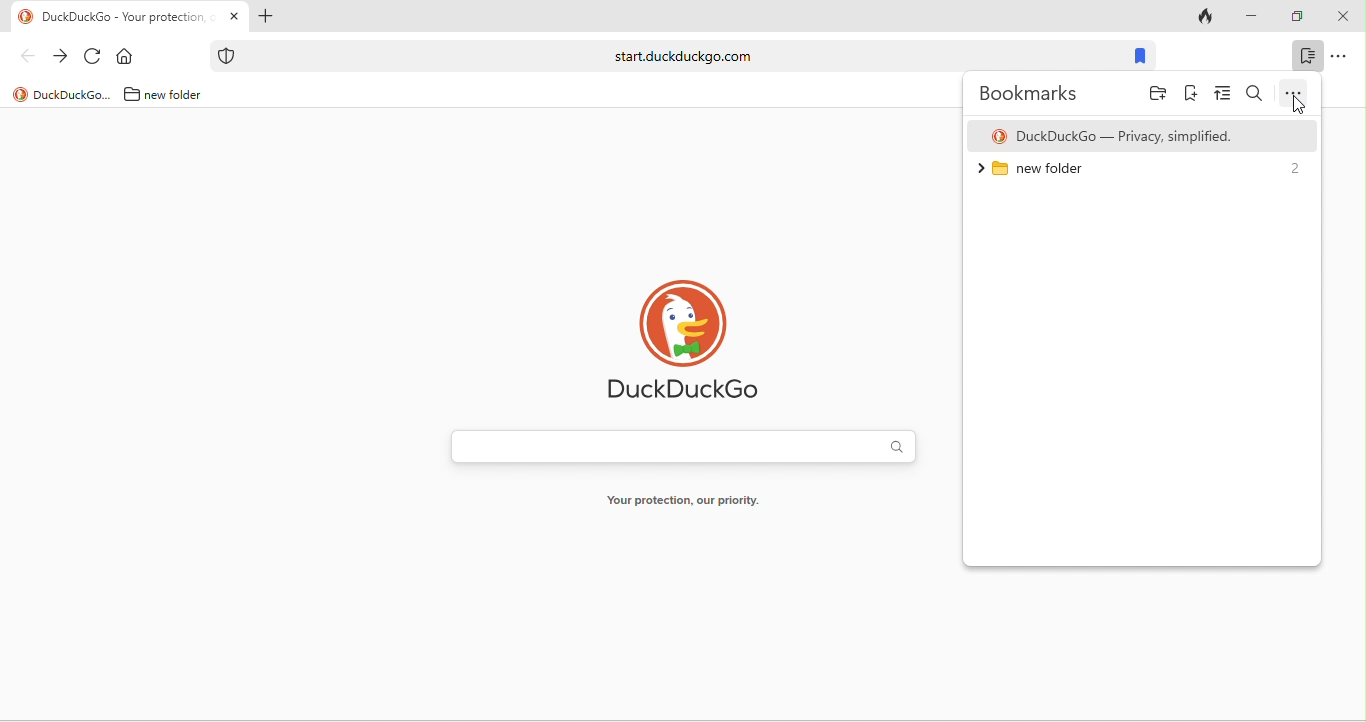 This screenshot has width=1366, height=722. Describe the element at coordinates (683, 55) in the screenshot. I see `start.duckduckgo.com` at that location.